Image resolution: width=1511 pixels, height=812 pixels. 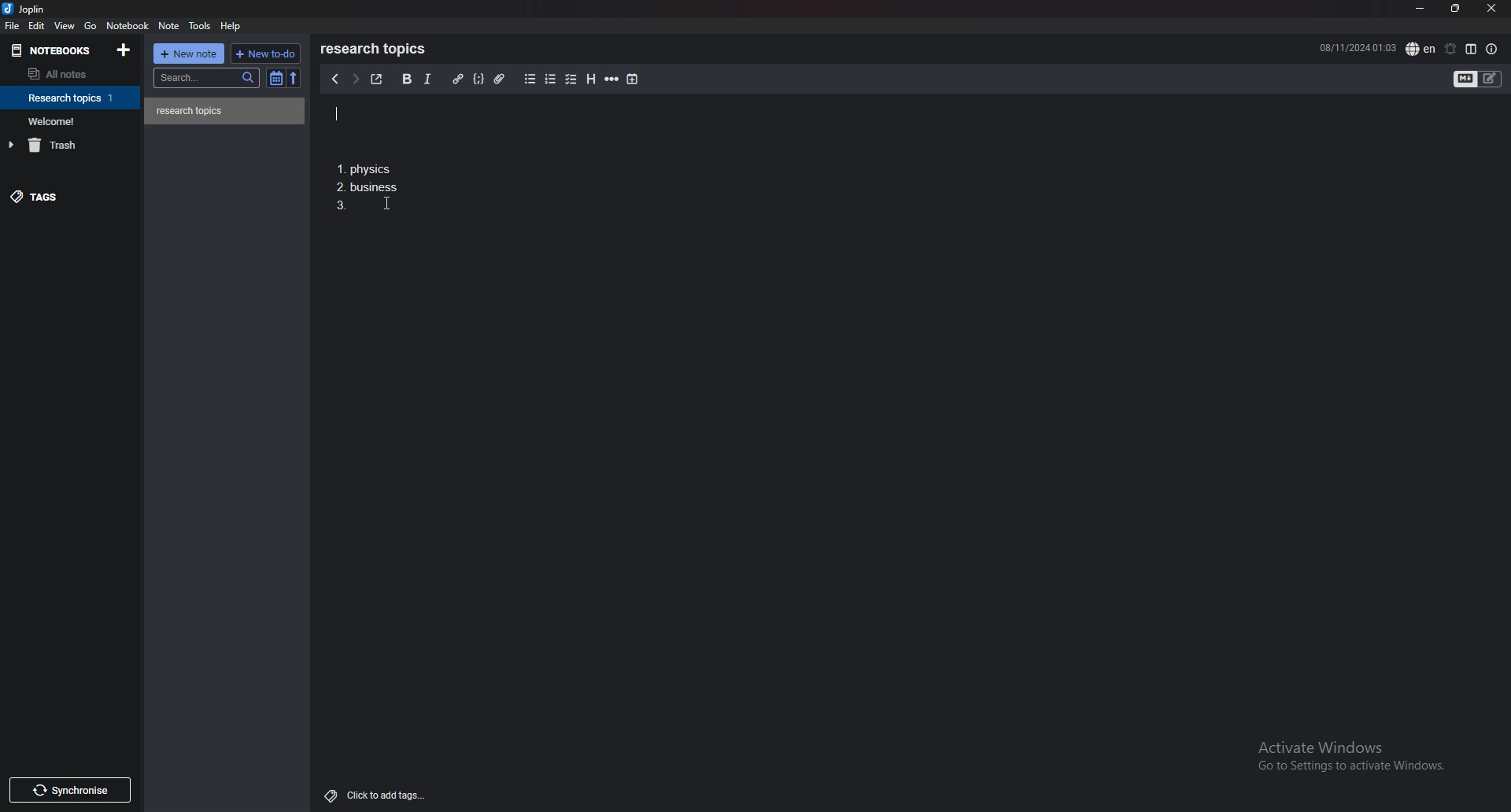 I want to click on resize, so click(x=1454, y=8).